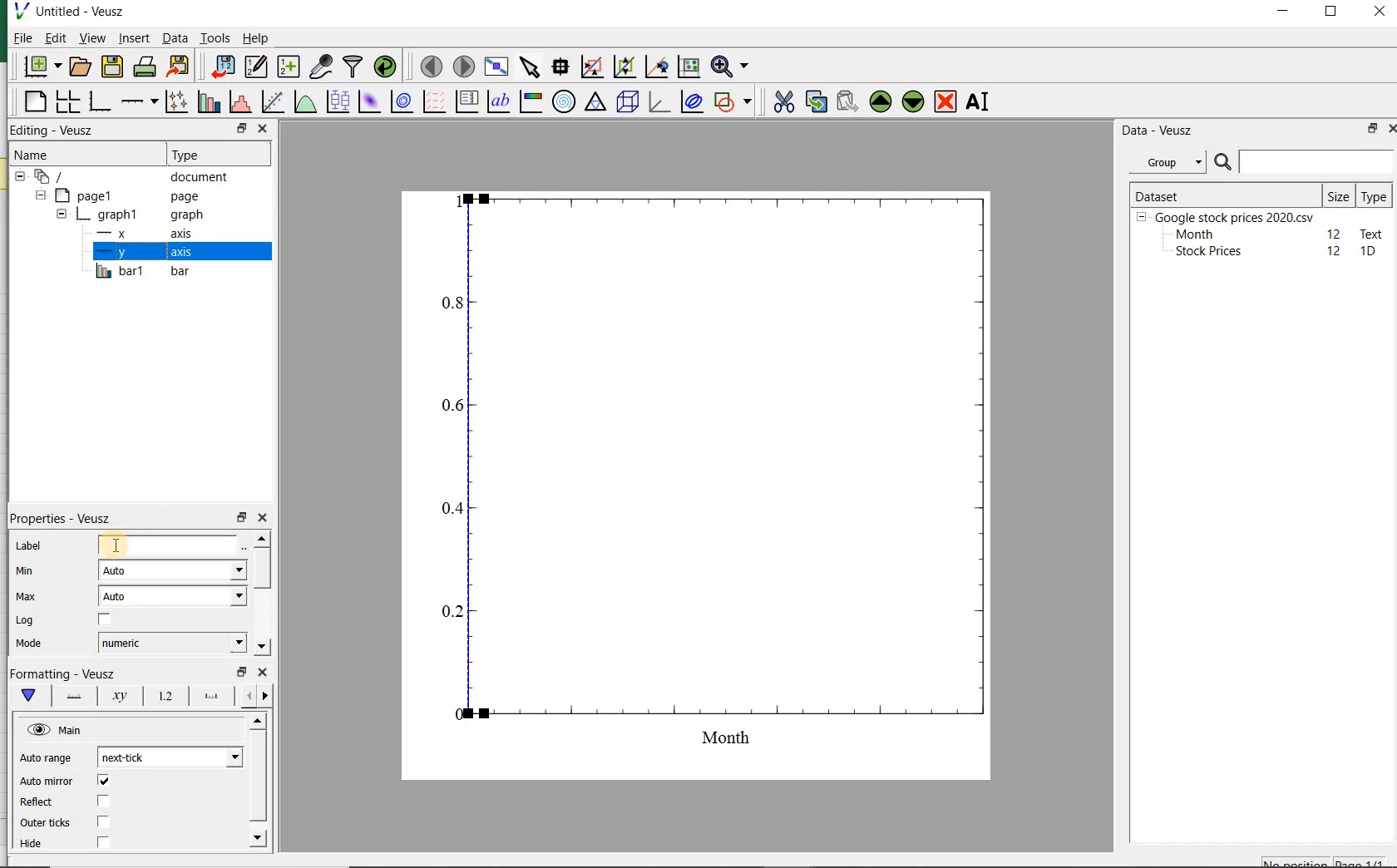  I want to click on bar1, so click(140, 272).